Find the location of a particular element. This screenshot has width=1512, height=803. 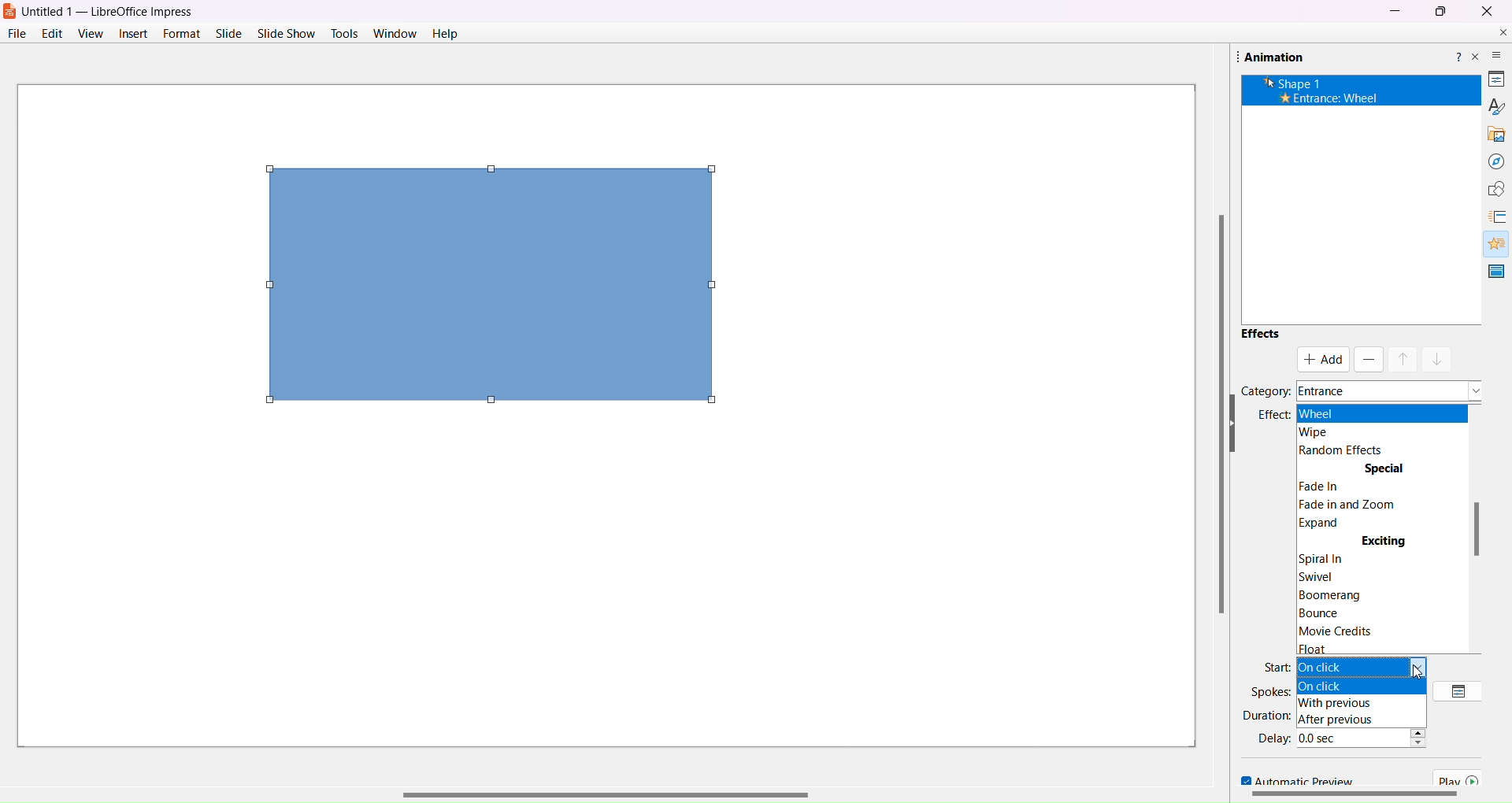

Help is located at coordinates (1456, 54).